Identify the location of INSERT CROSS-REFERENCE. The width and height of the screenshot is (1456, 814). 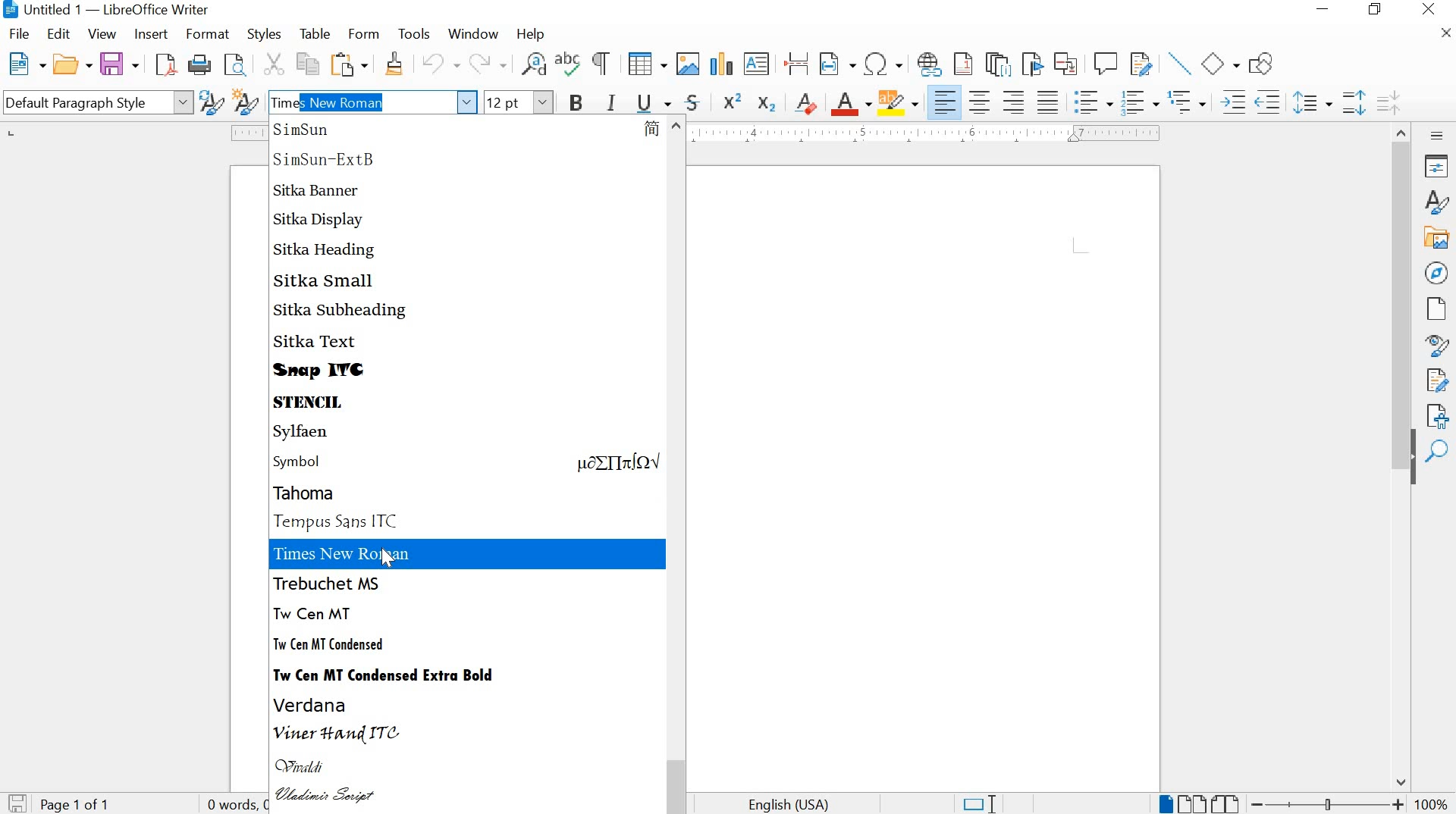
(1069, 63).